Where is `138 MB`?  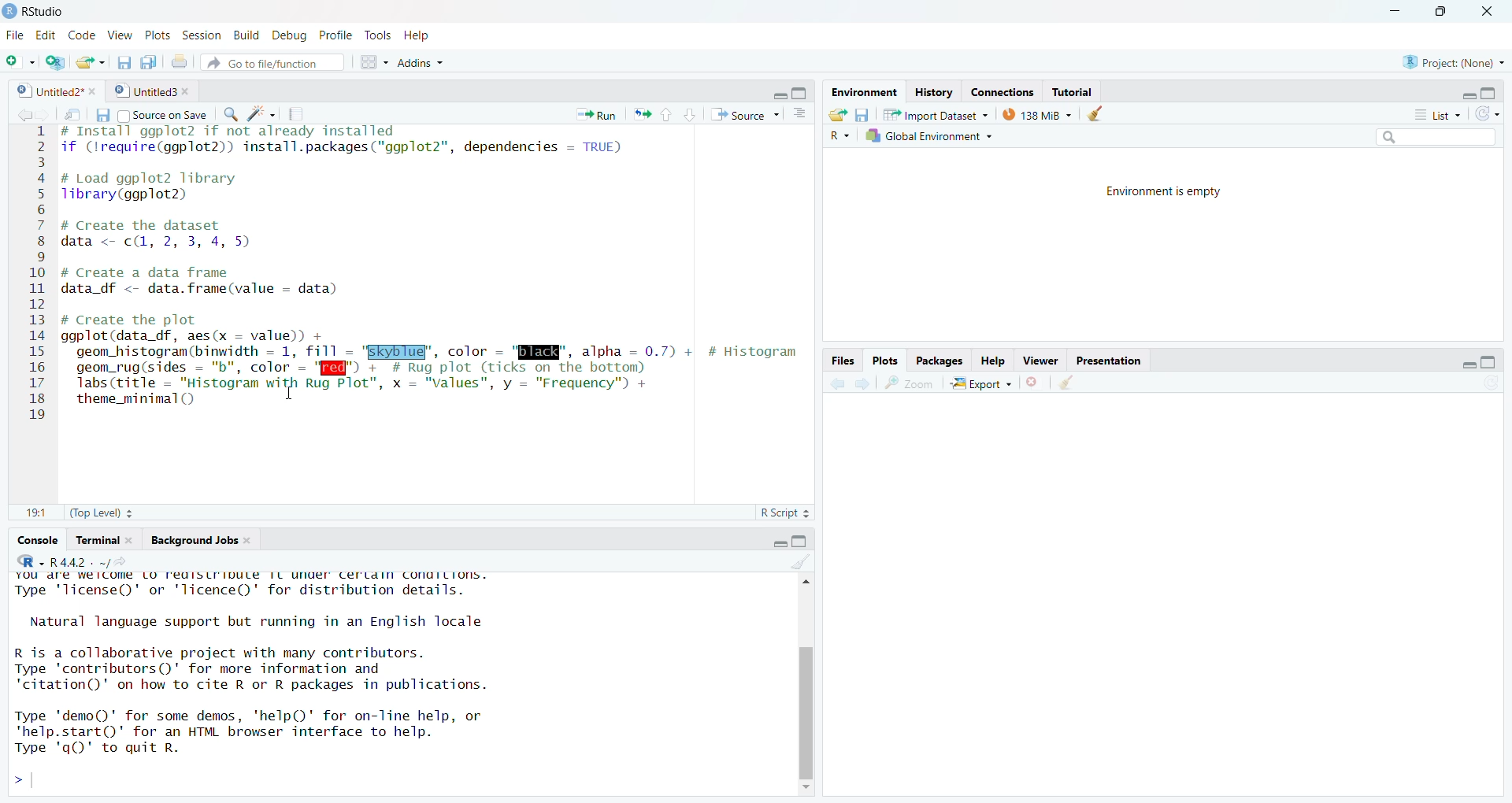
138 MB is located at coordinates (1034, 113).